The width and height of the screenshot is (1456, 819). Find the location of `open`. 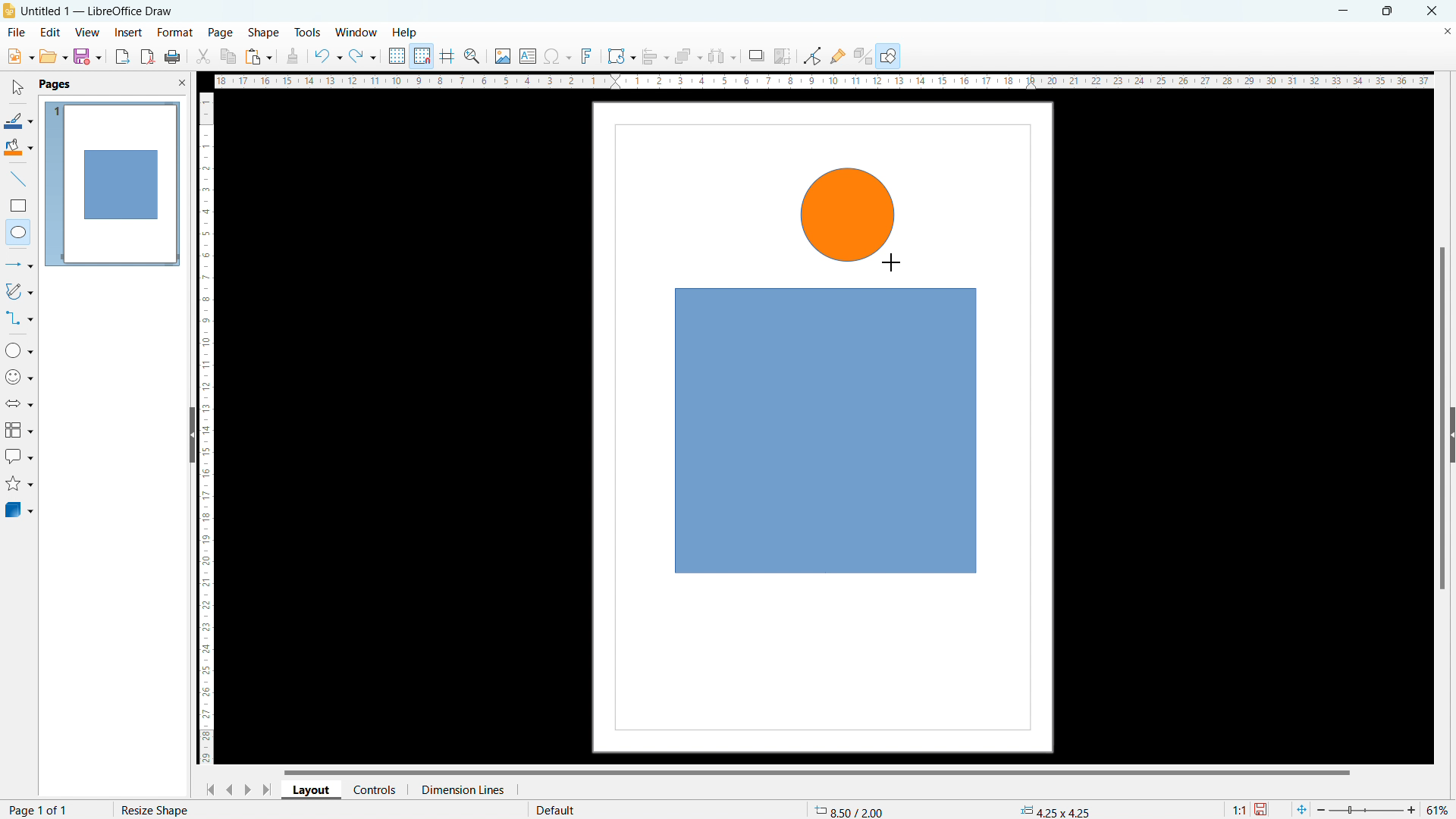

open is located at coordinates (53, 56).